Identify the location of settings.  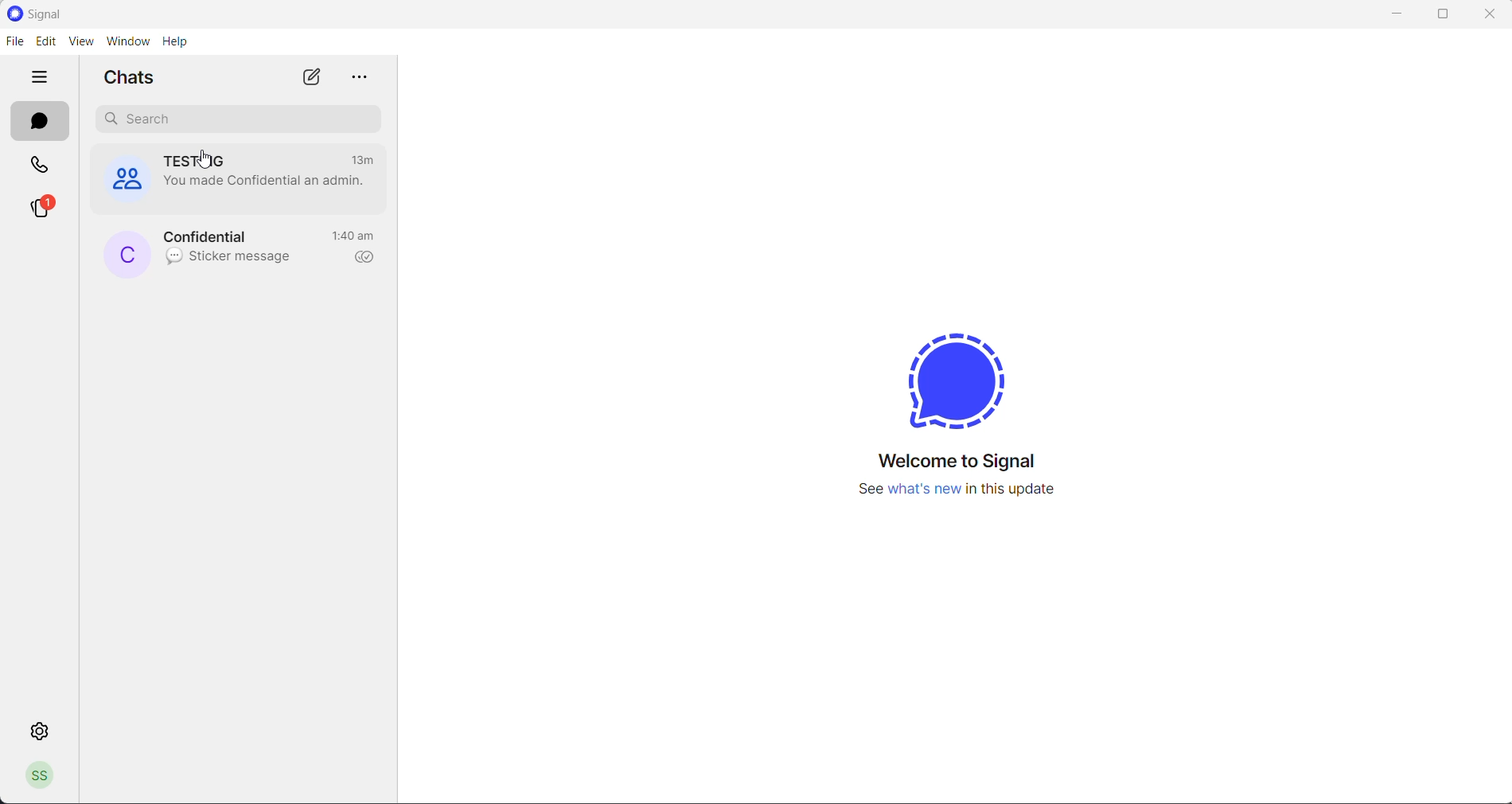
(39, 732).